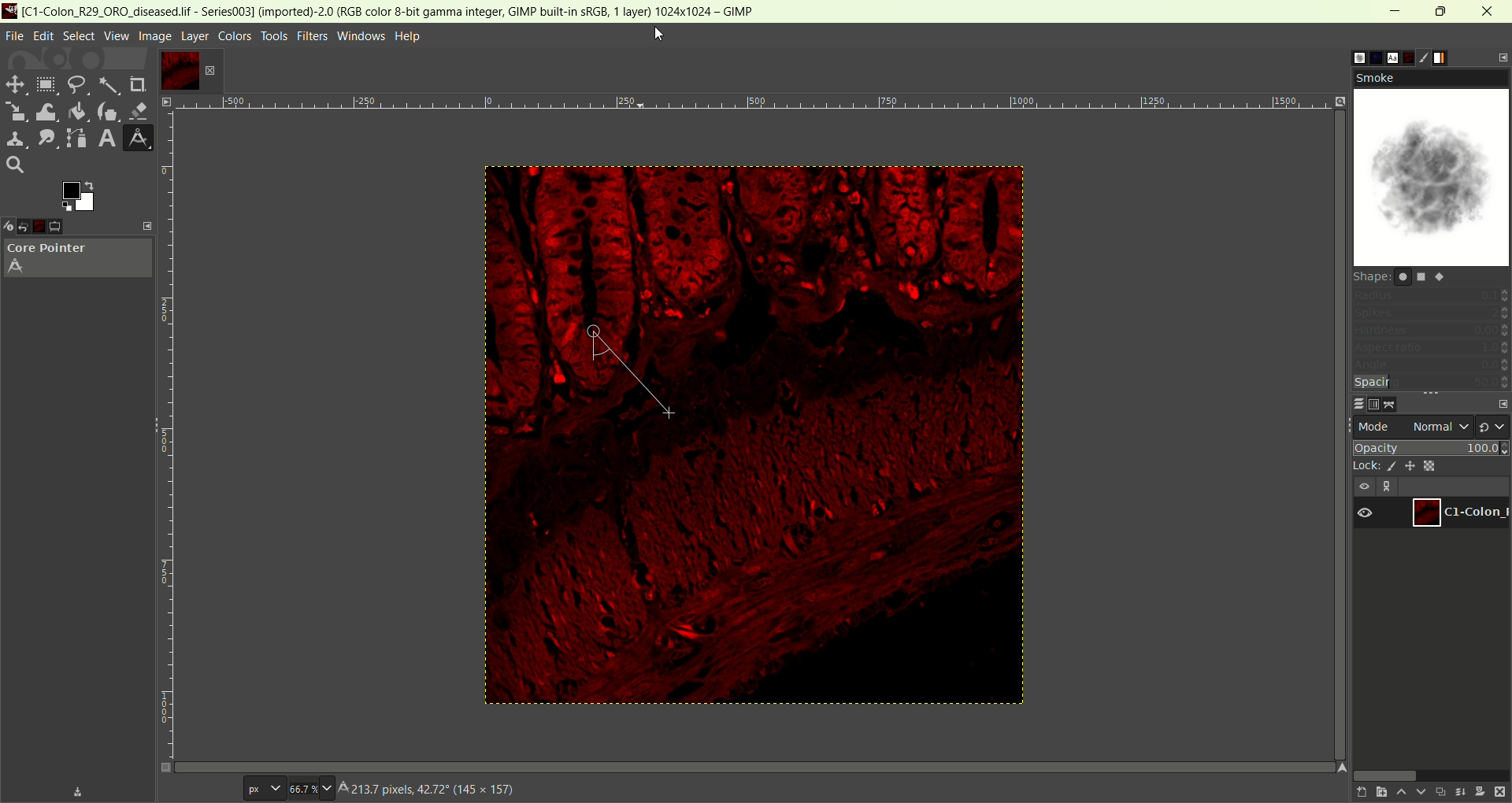 This screenshot has height=803, width=1512. What do you see at coordinates (46, 84) in the screenshot?
I see `rectangle select tool` at bounding box center [46, 84].